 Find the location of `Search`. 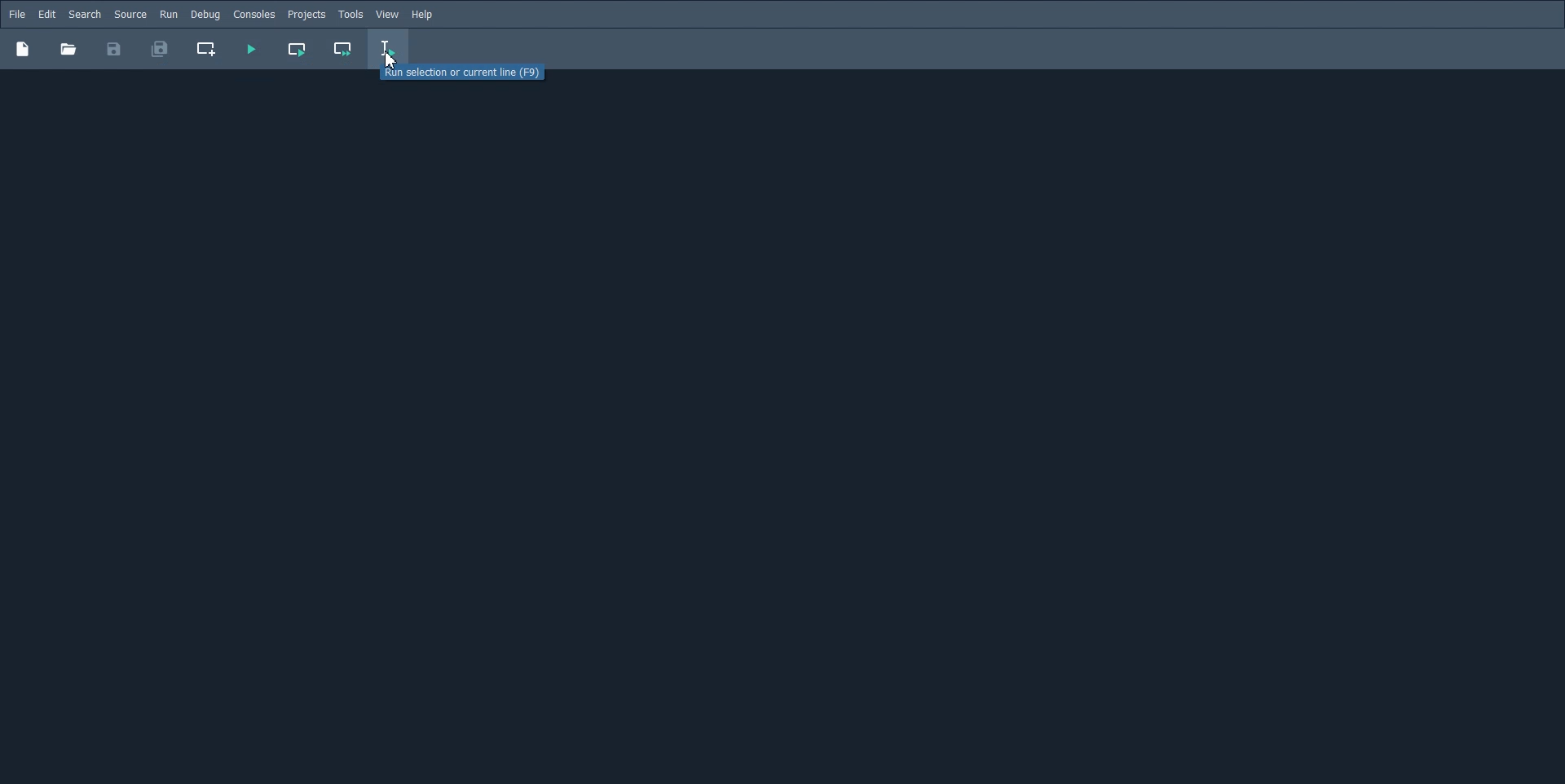

Search is located at coordinates (85, 15).